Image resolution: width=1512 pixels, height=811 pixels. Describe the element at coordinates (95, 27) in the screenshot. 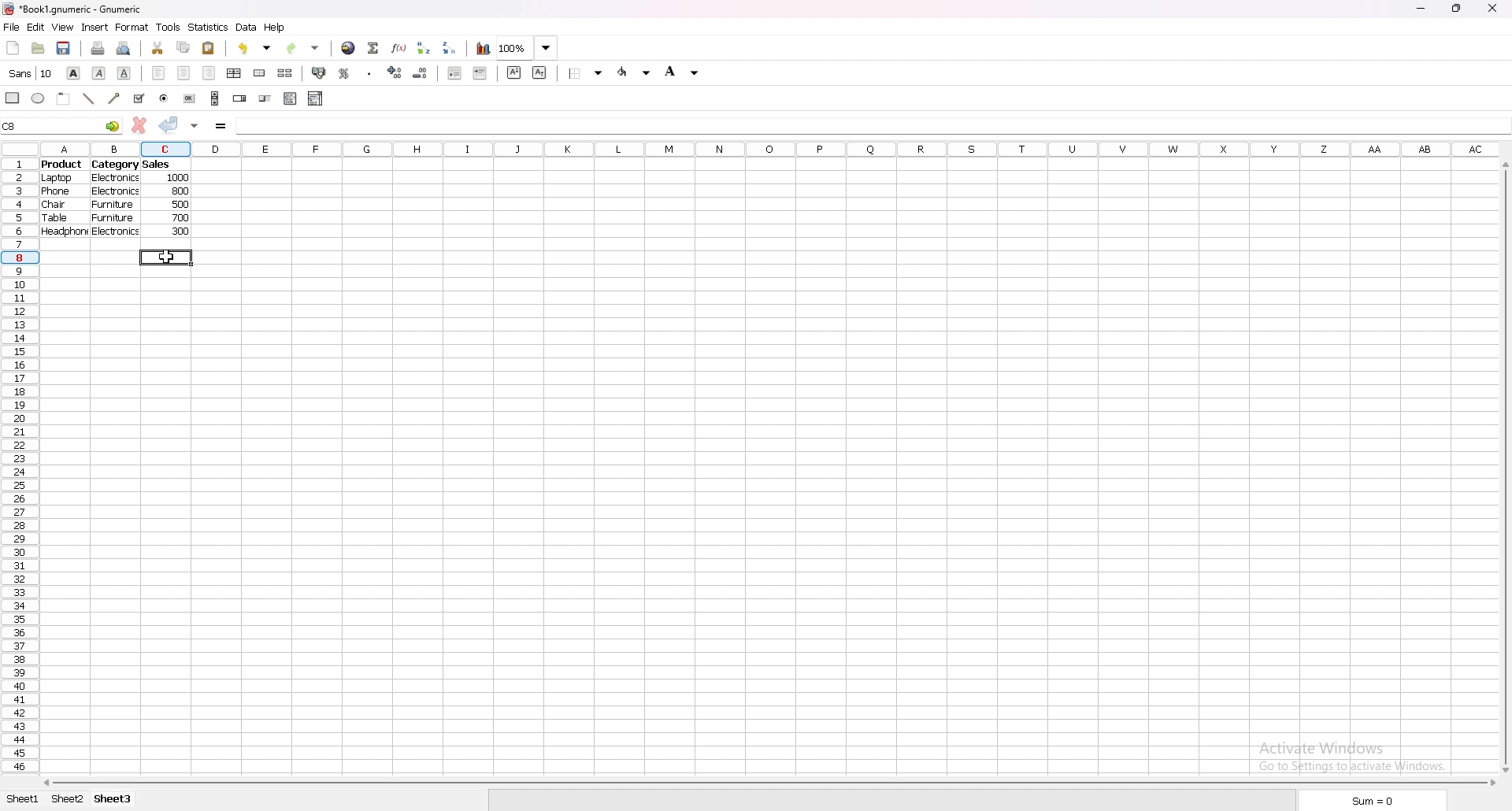

I see `insert` at that location.